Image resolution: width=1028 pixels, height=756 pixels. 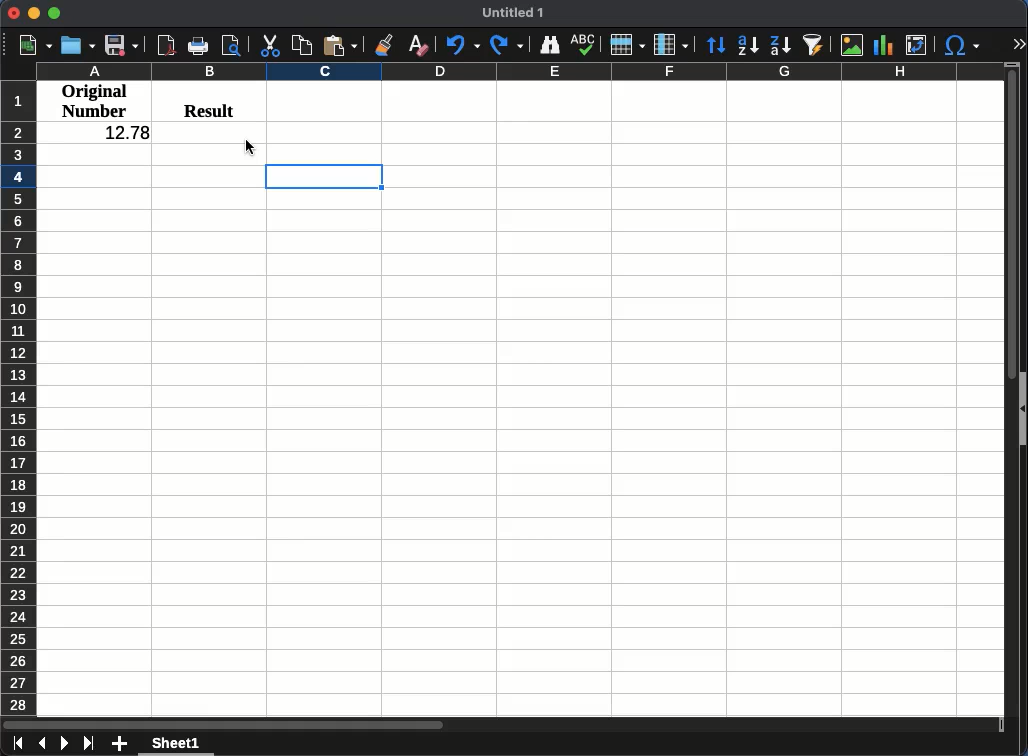 I want to click on image, so click(x=852, y=47).